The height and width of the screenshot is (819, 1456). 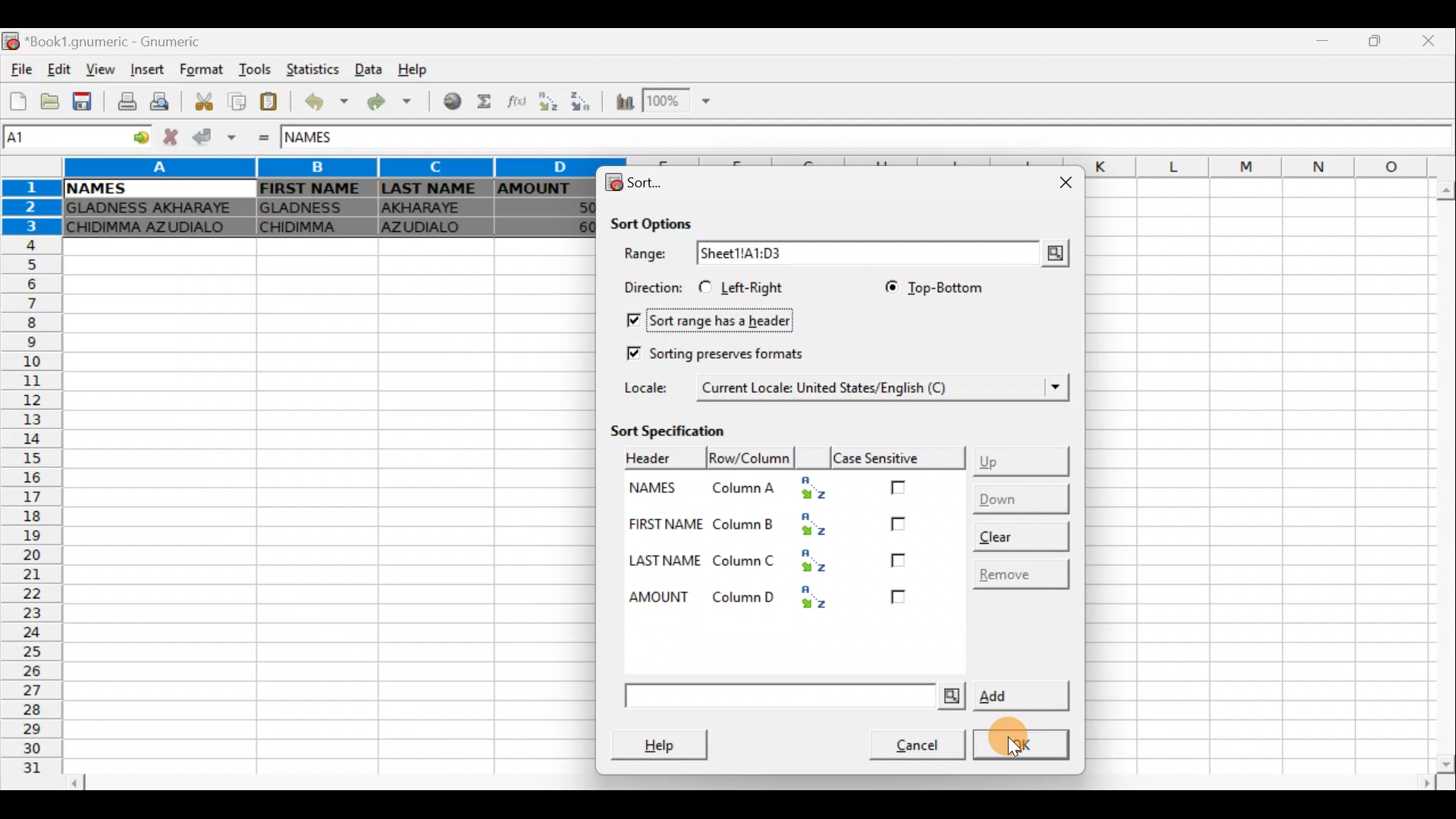 What do you see at coordinates (665, 526) in the screenshot?
I see `FIRST NAME` at bounding box center [665, 526].